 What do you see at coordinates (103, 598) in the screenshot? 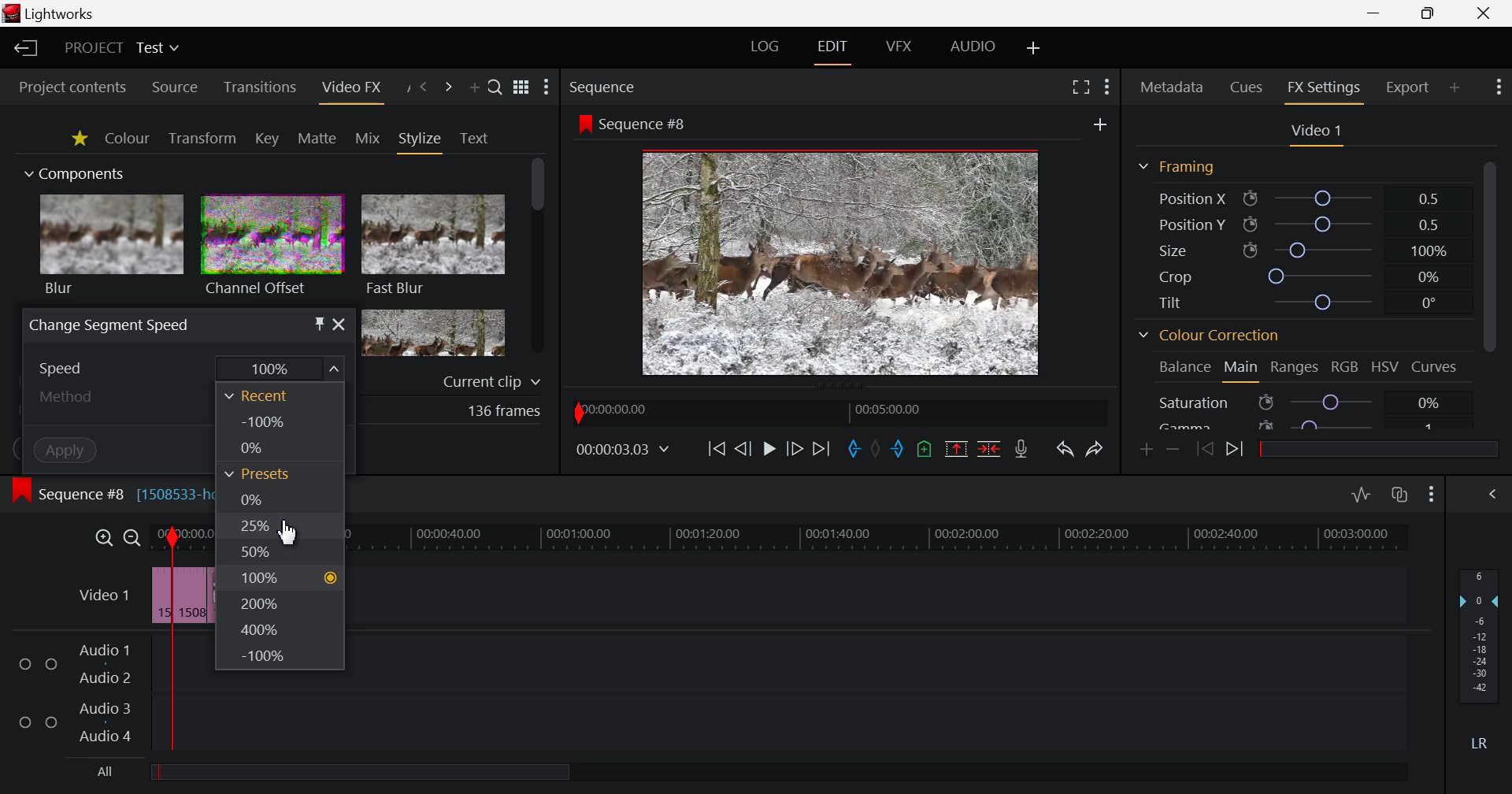
I see `Video Layer` at bounding box center [103, 598].